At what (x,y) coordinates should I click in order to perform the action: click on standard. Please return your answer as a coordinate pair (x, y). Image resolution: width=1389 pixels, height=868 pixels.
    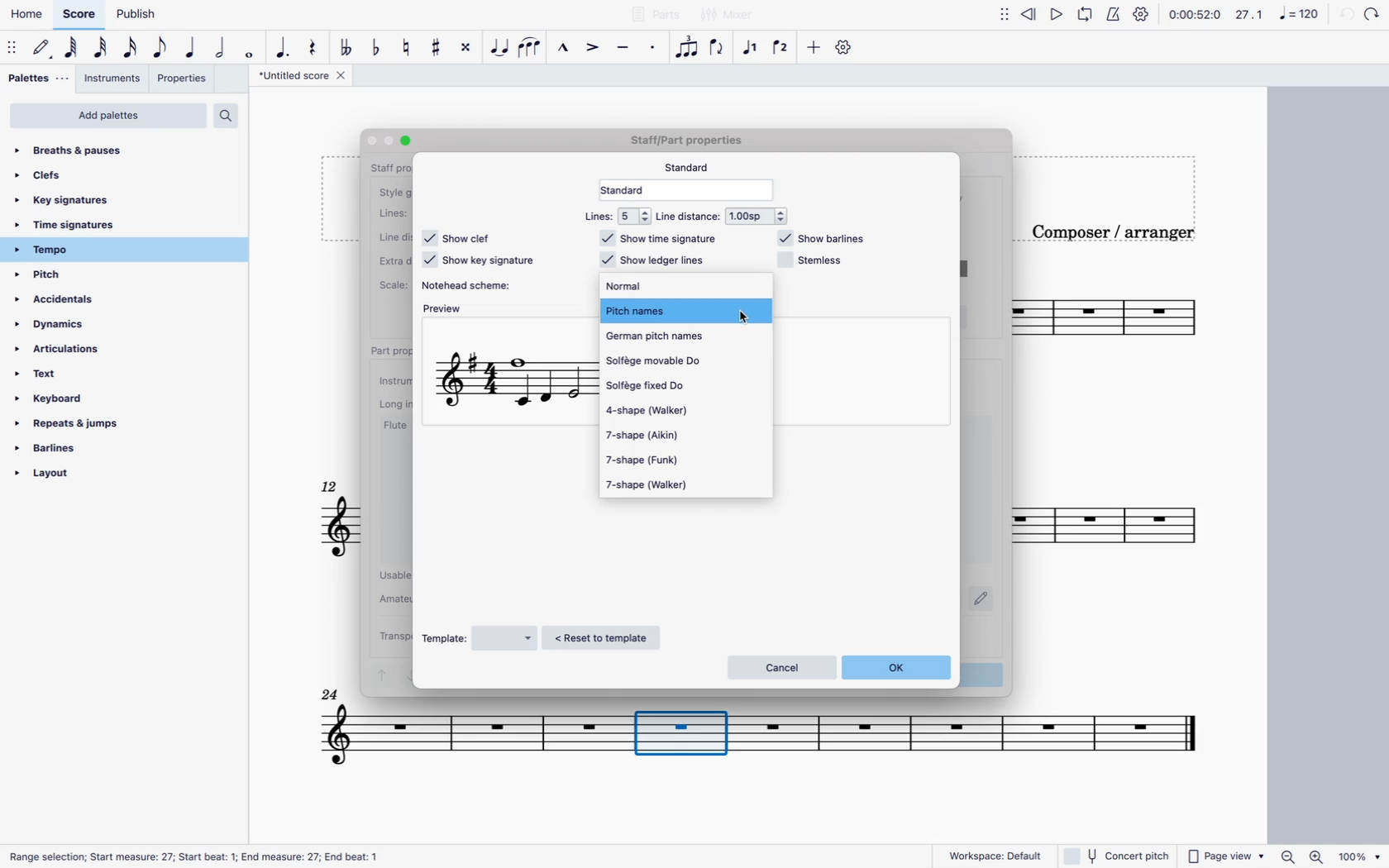
    Looking at the image, I should click on (692, 190).